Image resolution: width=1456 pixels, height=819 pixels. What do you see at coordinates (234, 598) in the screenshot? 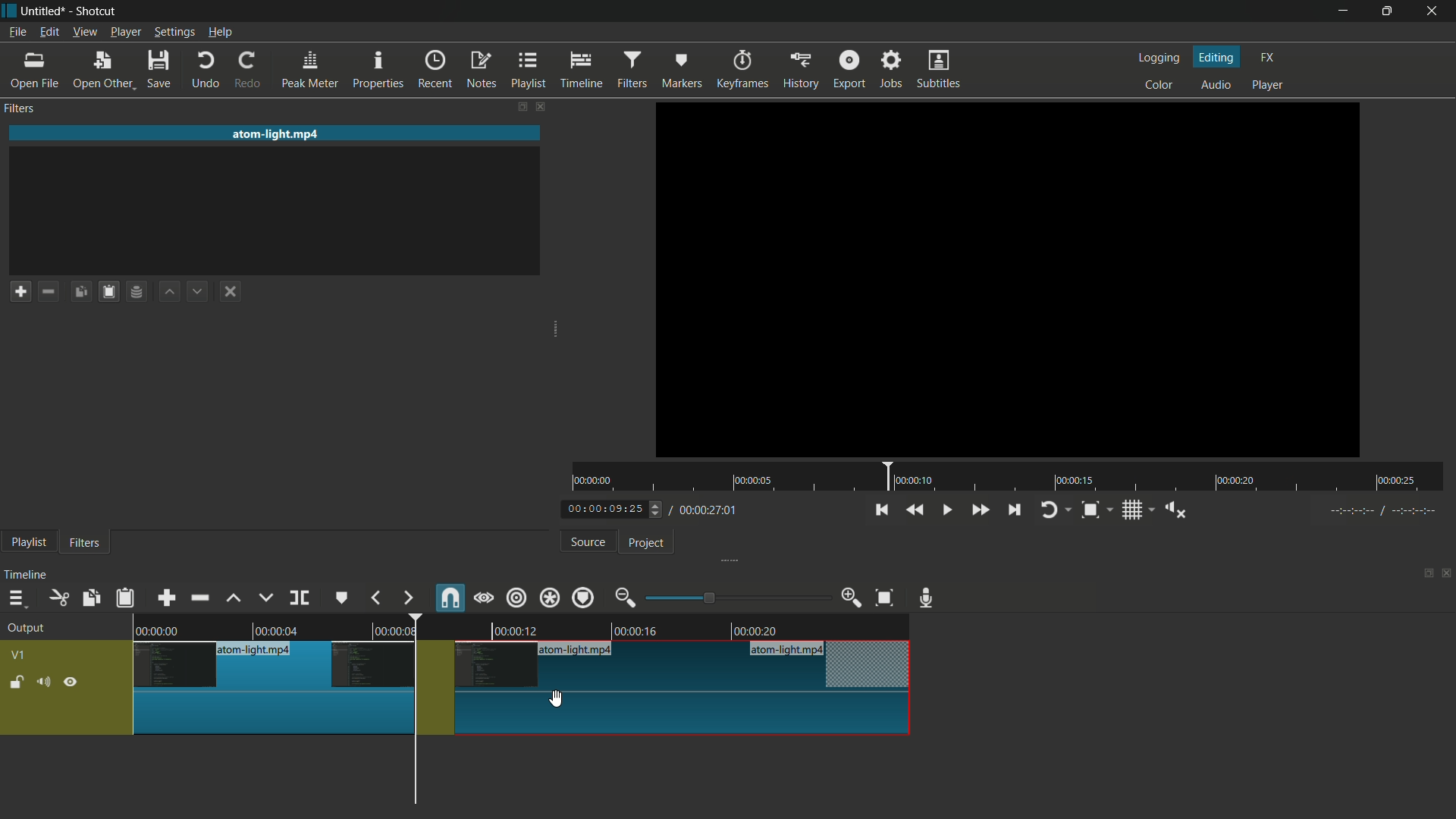
I see `lift` at bounding box center [234, 598].